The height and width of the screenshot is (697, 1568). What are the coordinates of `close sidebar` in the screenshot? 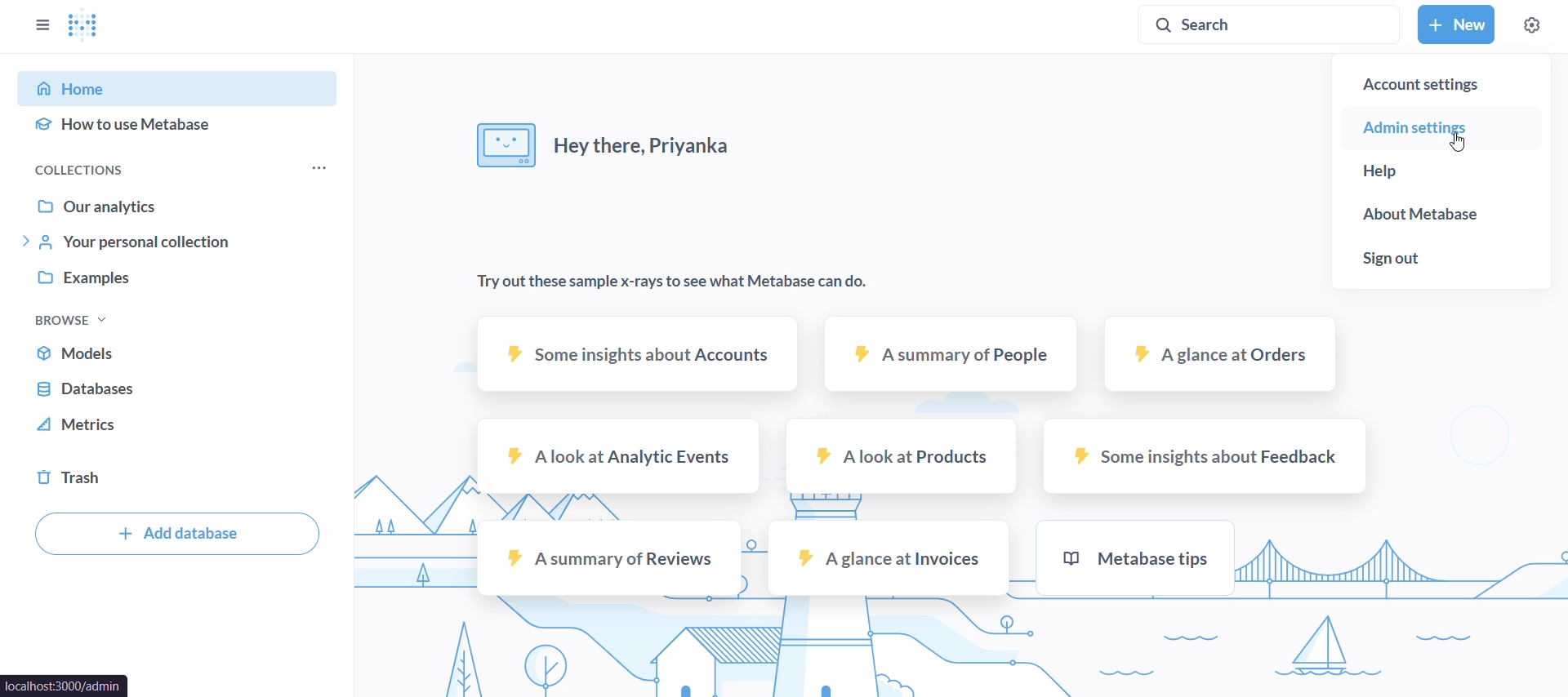 It's located at (40, 26).